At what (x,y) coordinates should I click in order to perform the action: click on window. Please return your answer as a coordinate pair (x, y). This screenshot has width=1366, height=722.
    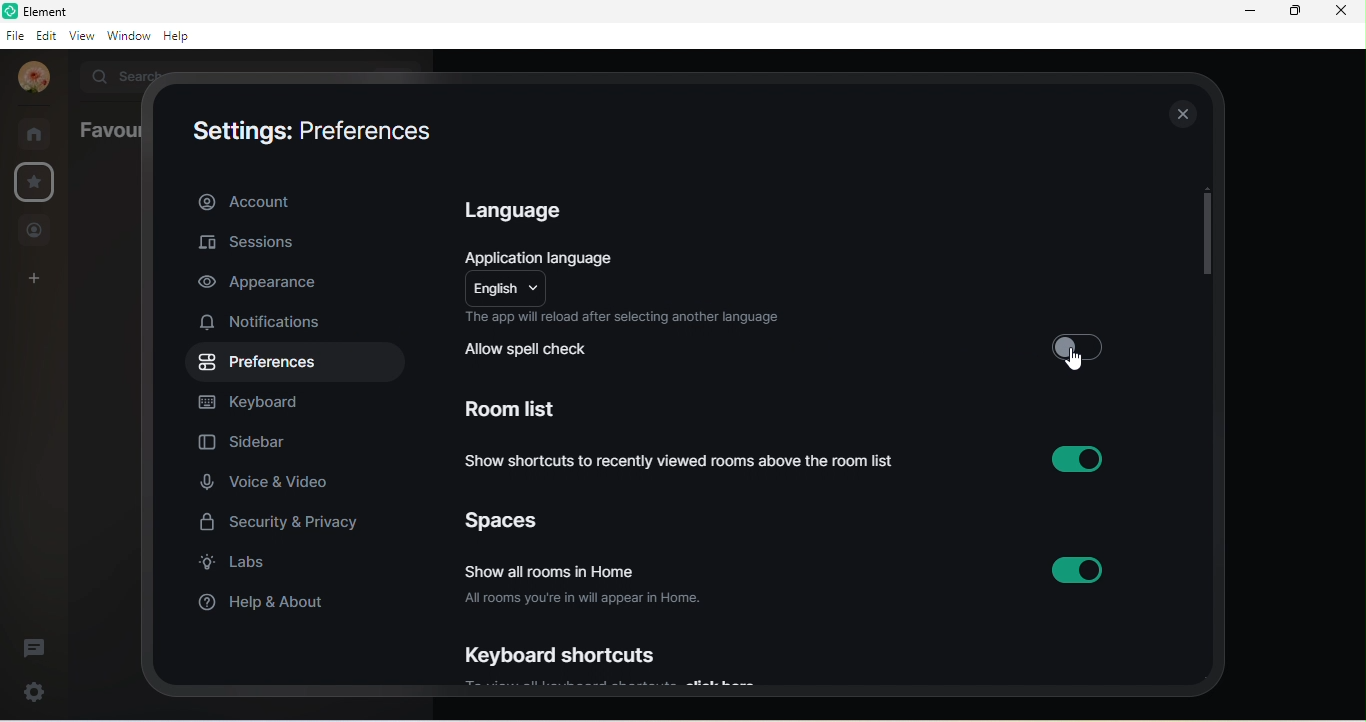
    Looking at the image, I should click on (129, 35).